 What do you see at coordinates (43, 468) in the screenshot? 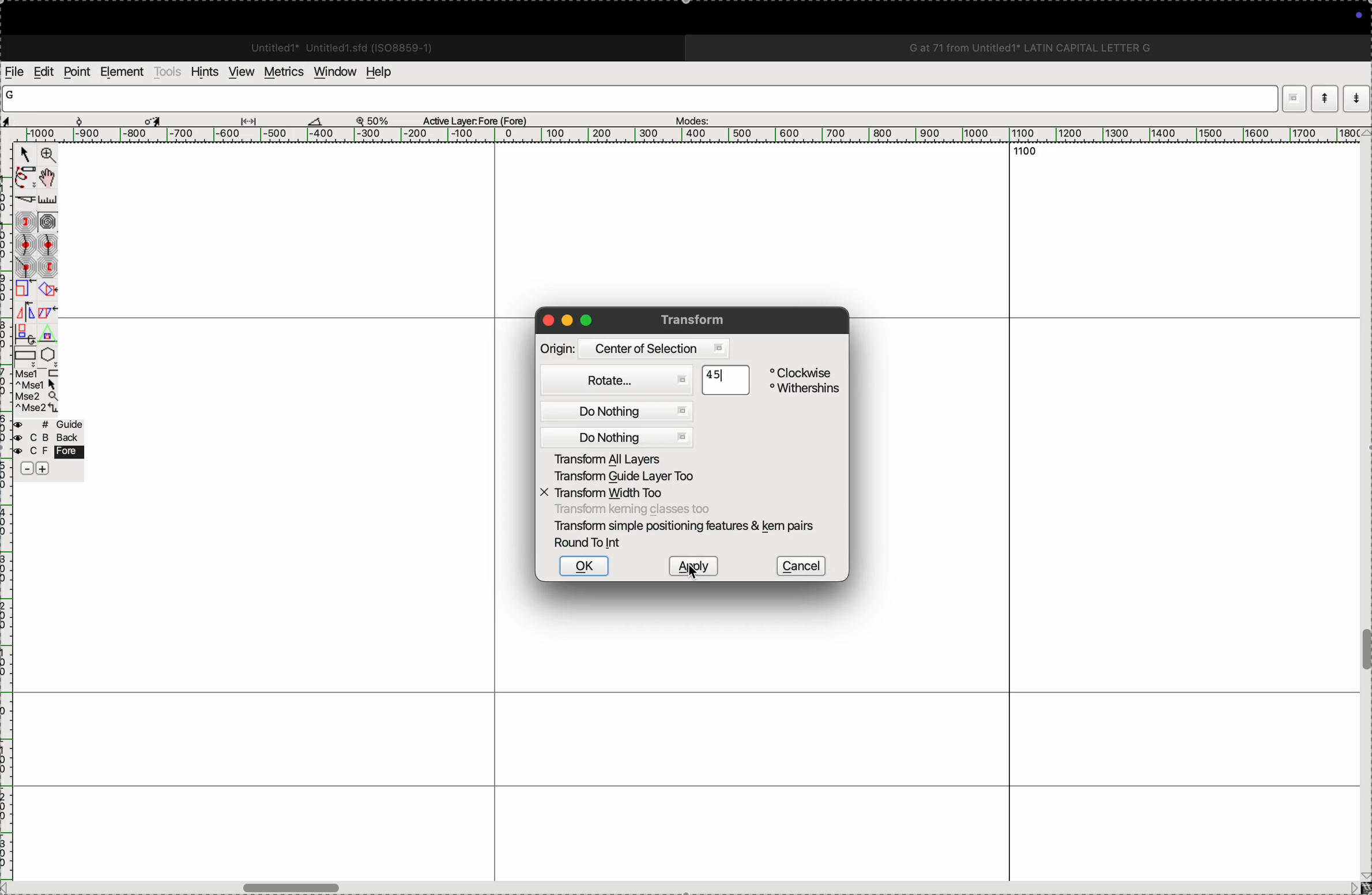
I see `increase` at bounding box center [43, 468].